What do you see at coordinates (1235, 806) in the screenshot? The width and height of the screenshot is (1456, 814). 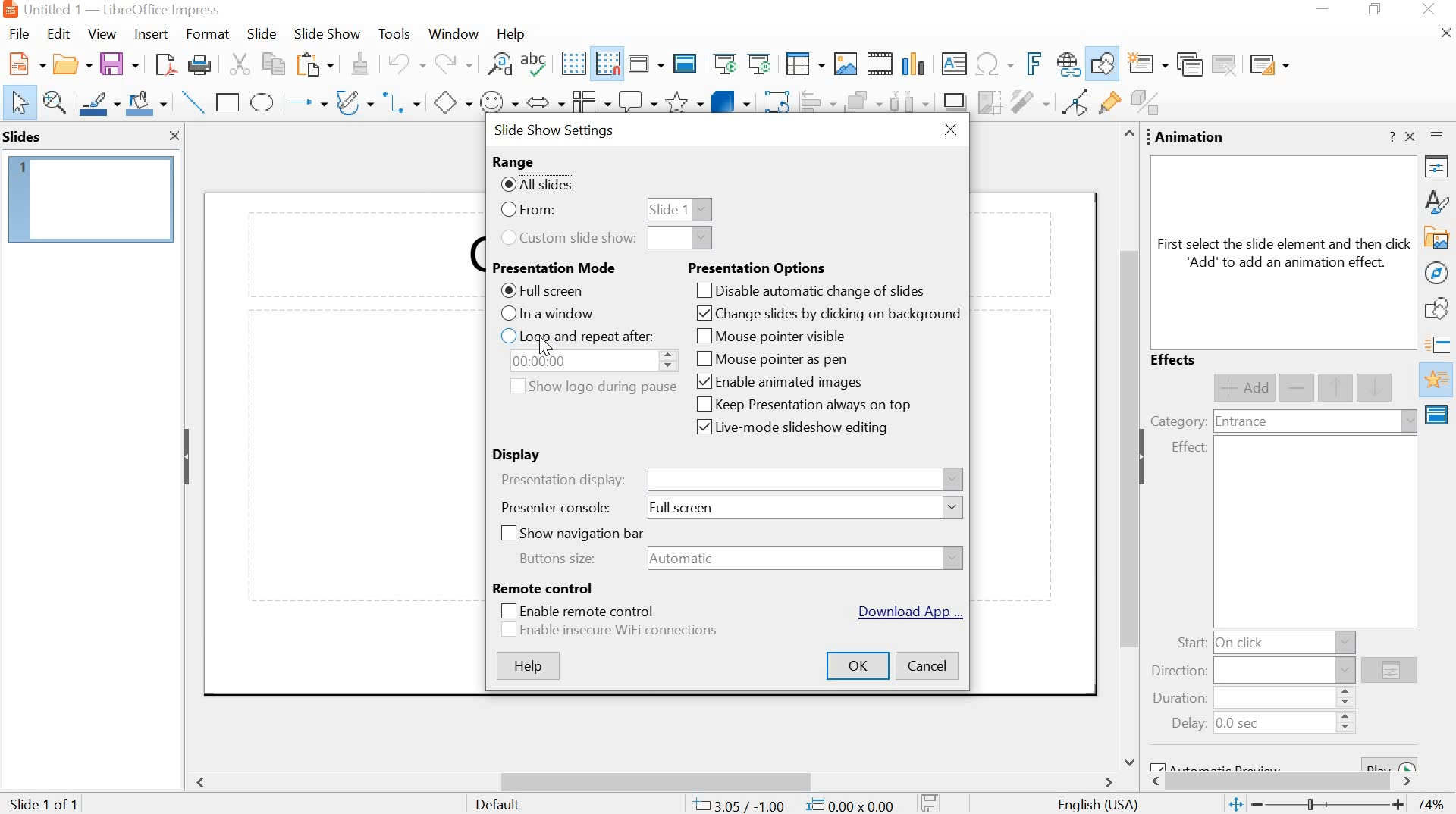 I see `fit slide to current view` at bounding box center [1235, 806].